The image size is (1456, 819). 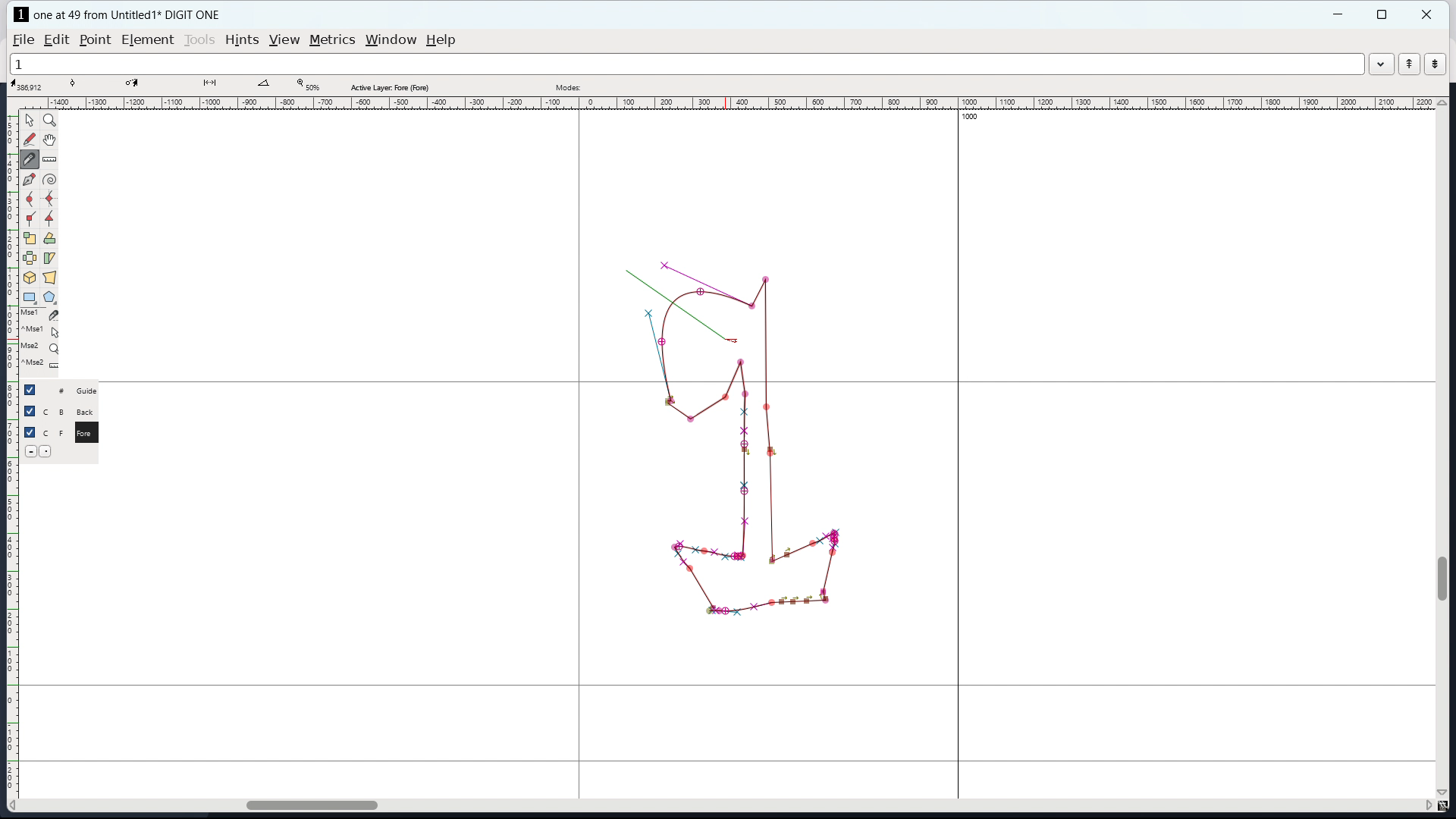 What do you see at coordinates (1409, 64) in the screenshot?
I see `previous word in the current word list` at bounding box center [1409, 64].